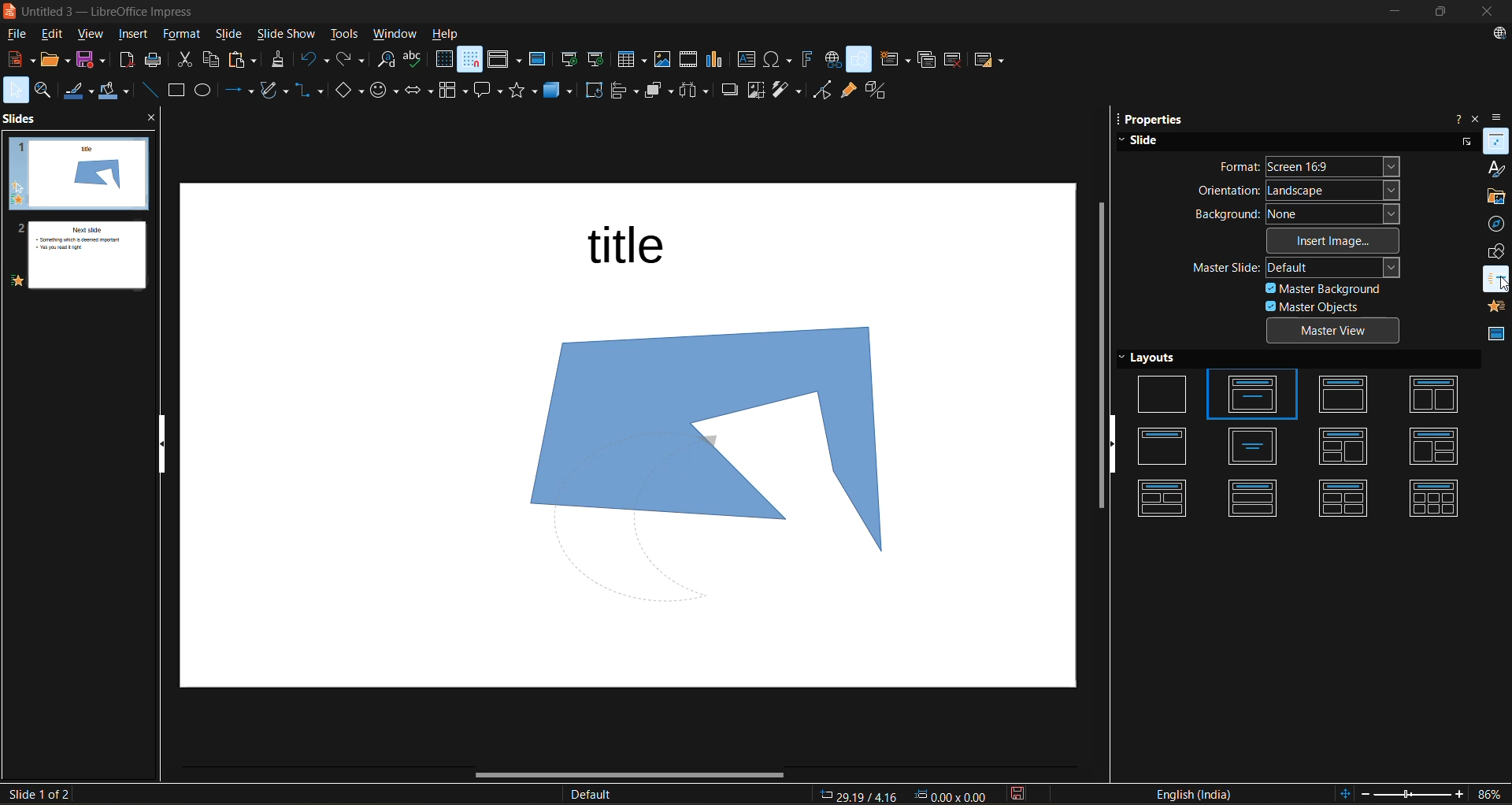  What do you see at coordinates (697, 91) in the screenshot?
I see `distribute` at bounding box center [697, 91].